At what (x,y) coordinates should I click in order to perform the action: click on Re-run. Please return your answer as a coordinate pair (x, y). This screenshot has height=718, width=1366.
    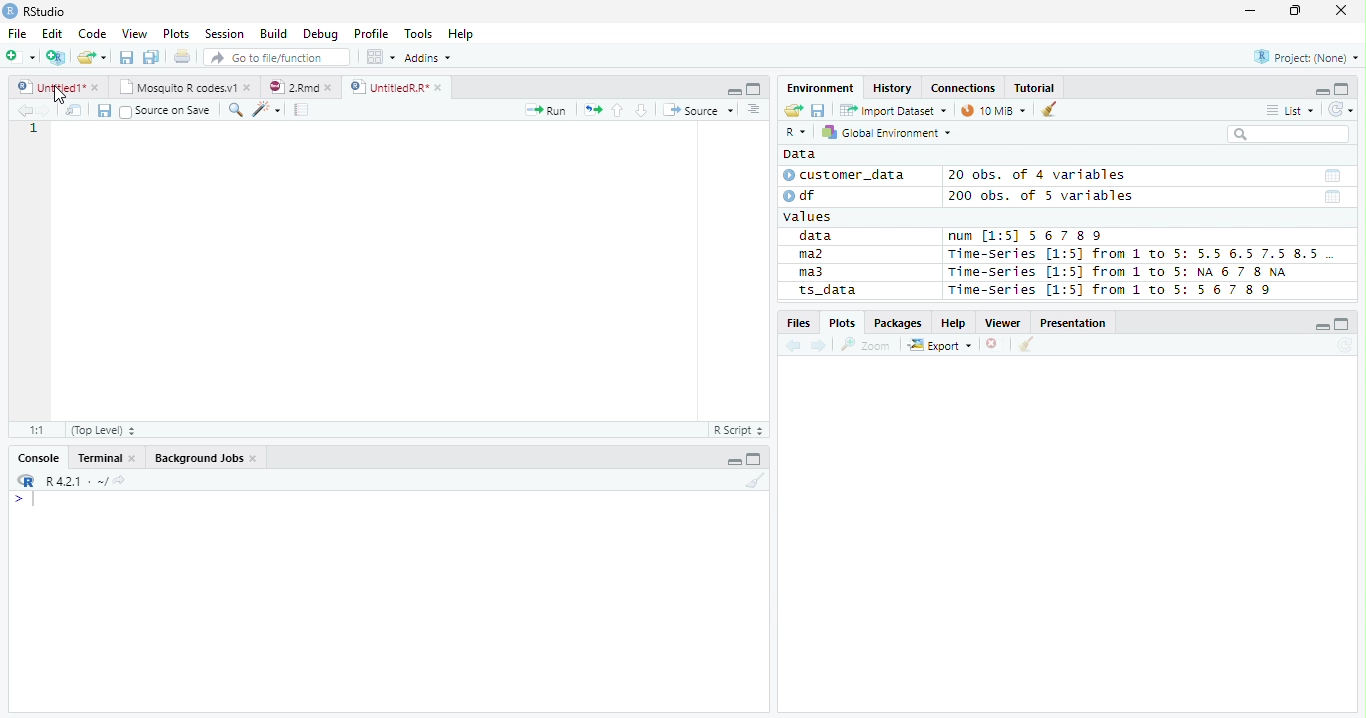
    Looking at the image, I should click on (592, 111).